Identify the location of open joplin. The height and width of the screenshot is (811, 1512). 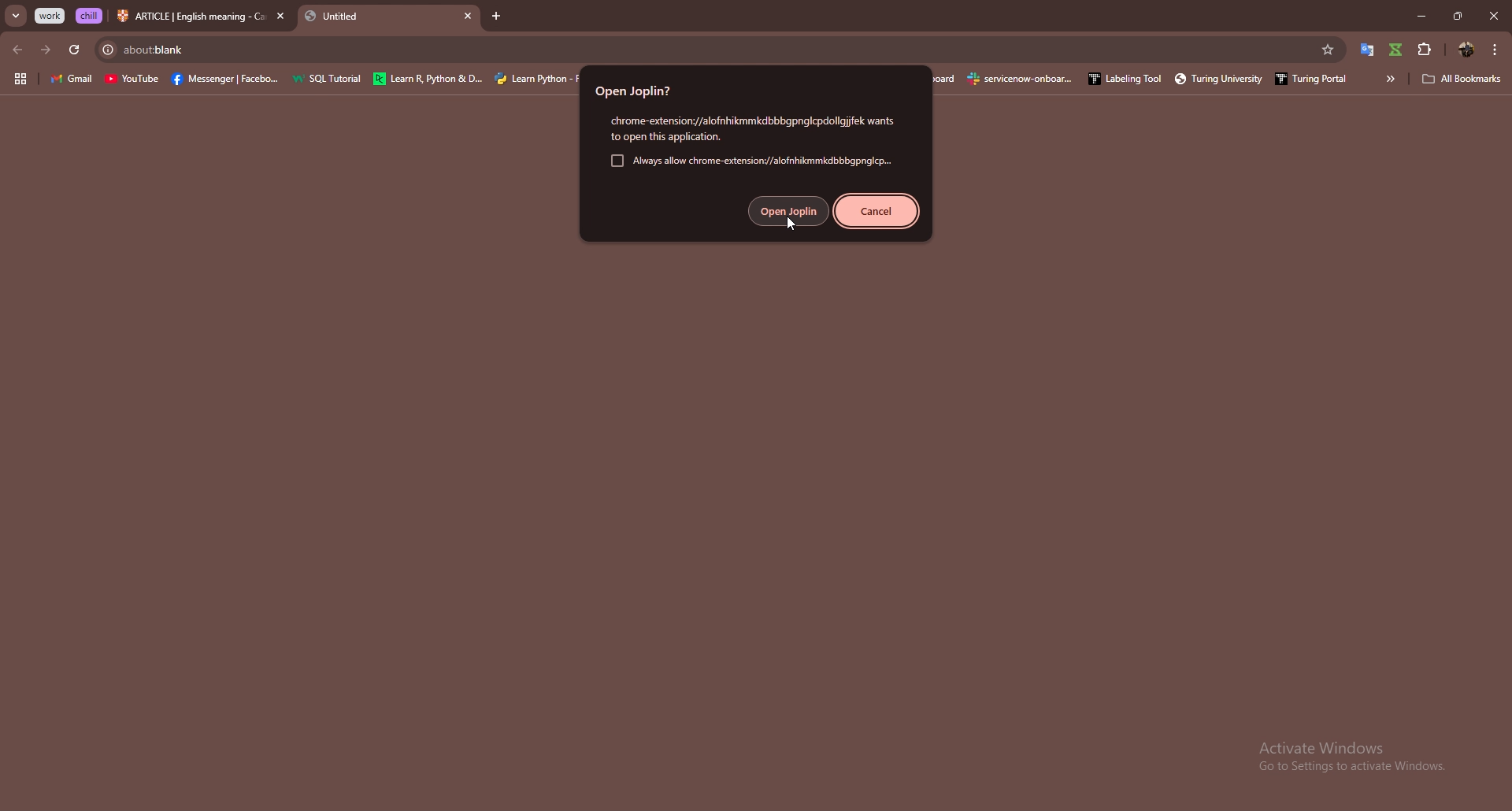
(789, 211).